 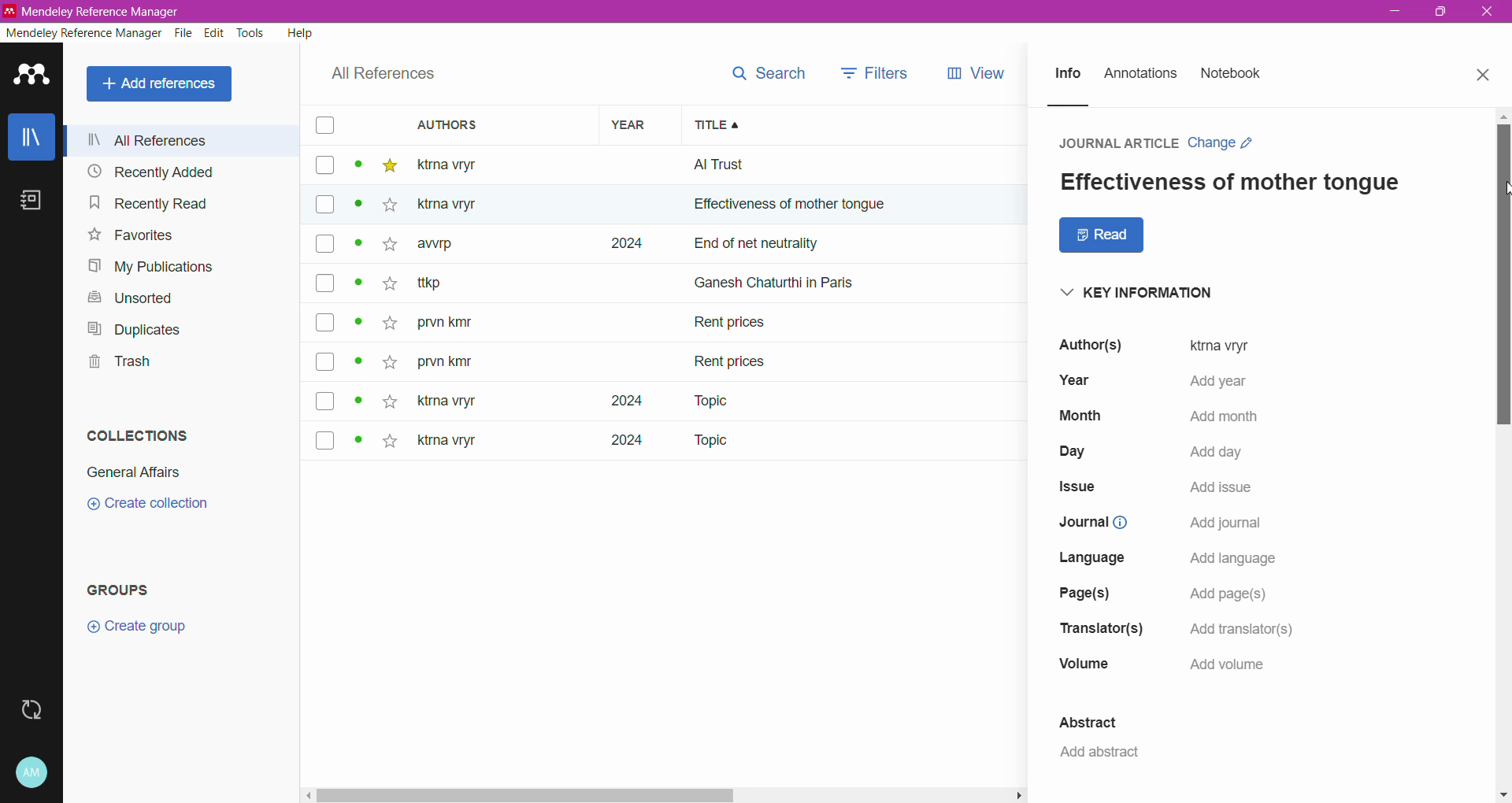 What do you see at coordinates (766, 73) in the screenshot?
I see `search` at bounding box center [766, 73].